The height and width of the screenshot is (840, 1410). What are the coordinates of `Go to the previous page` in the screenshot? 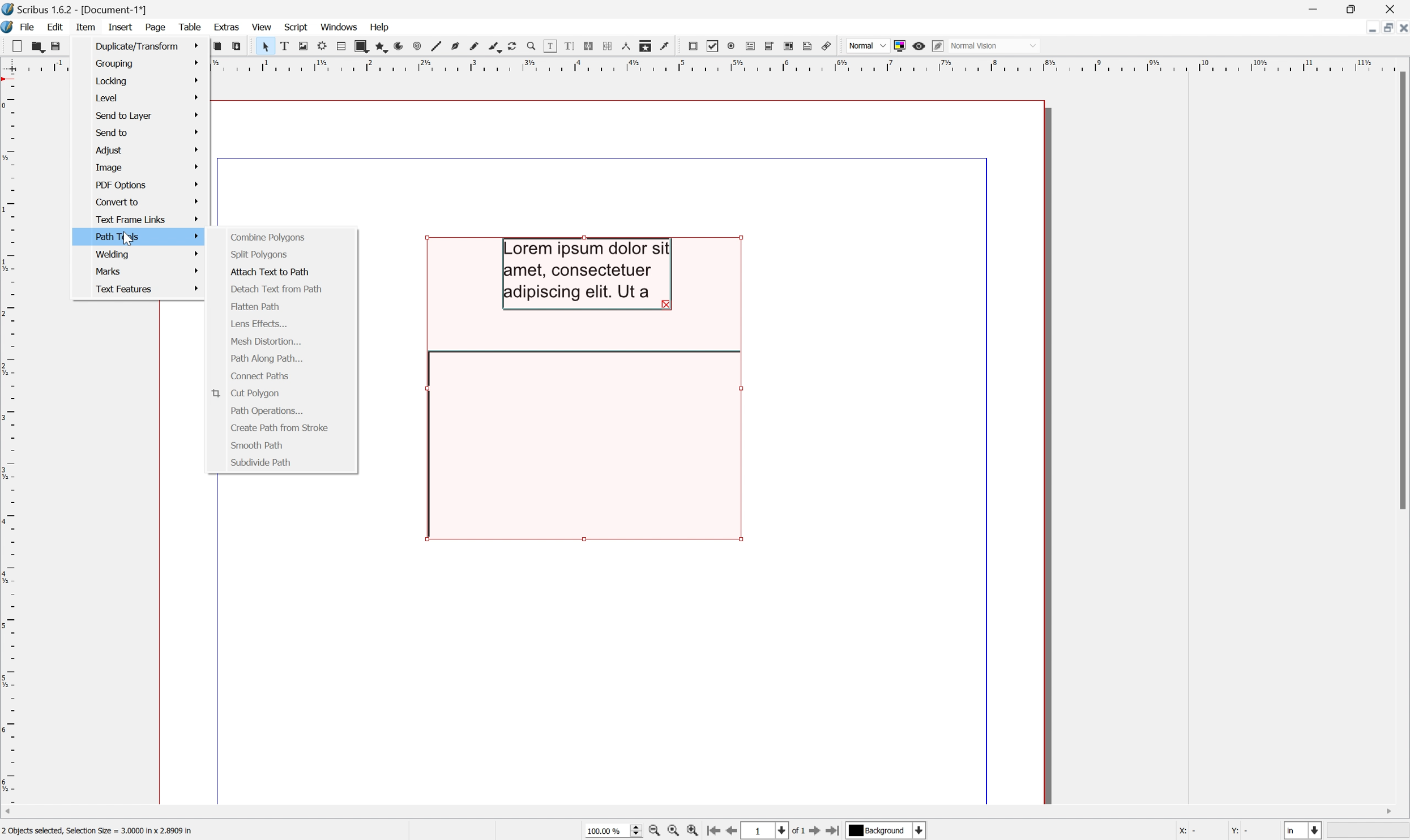 It's located at (735, 830).